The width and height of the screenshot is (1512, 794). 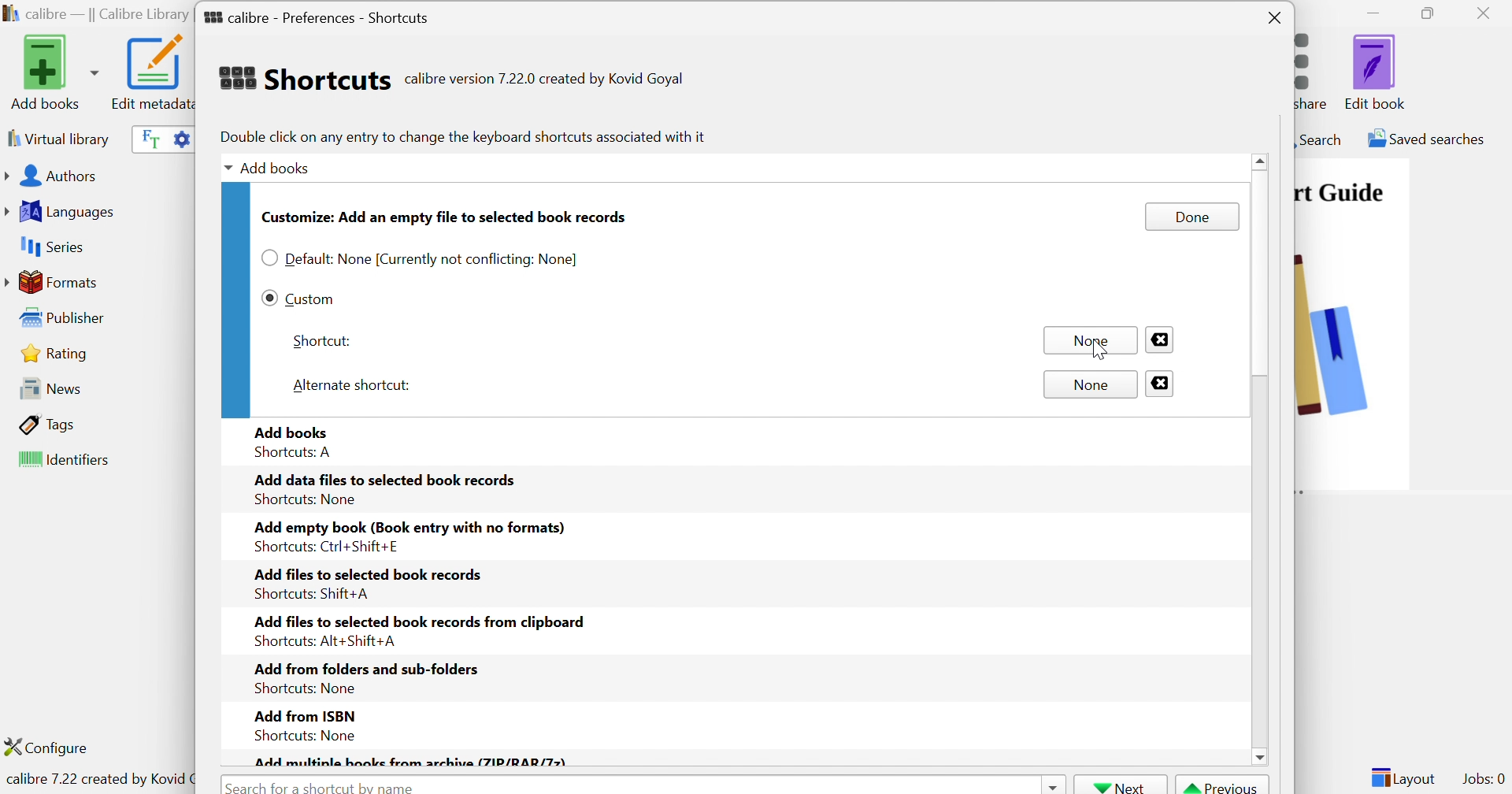 I want to click on Configure, so click(x=53, y=747).